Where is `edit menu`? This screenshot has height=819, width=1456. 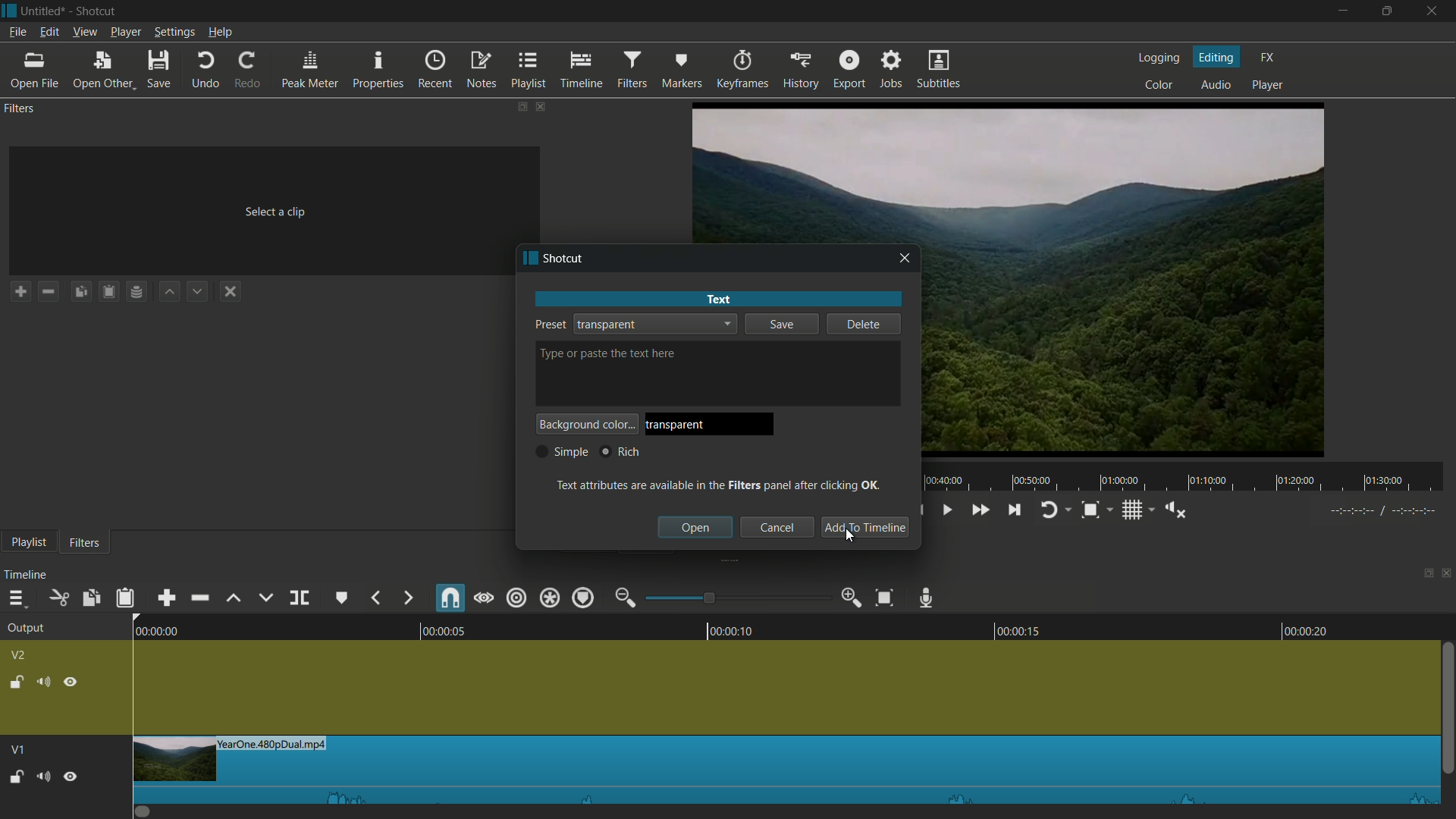
edit menu is located at coordinates (49, 32).